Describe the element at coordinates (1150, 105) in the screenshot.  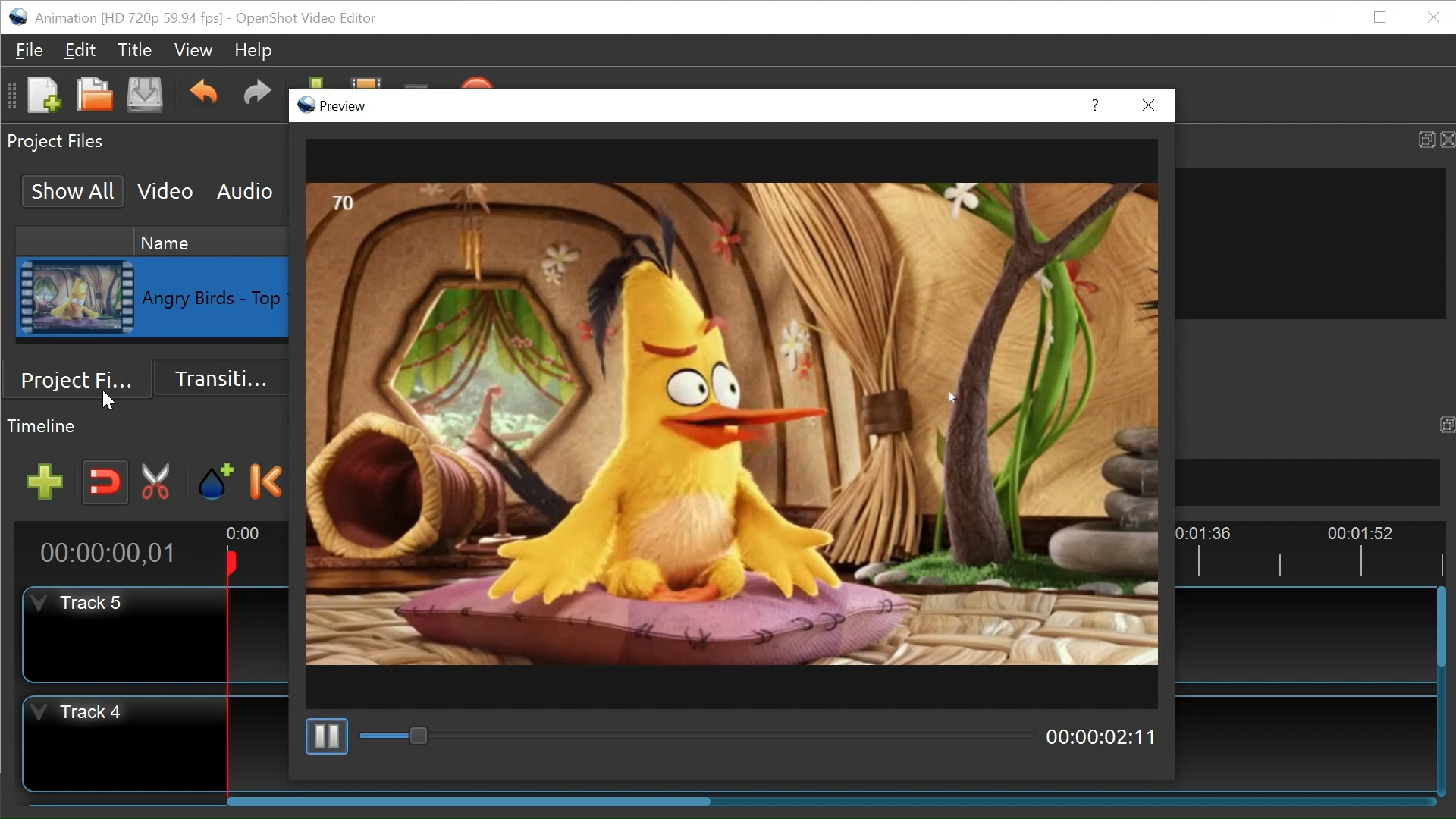
I see `Close` at that location.